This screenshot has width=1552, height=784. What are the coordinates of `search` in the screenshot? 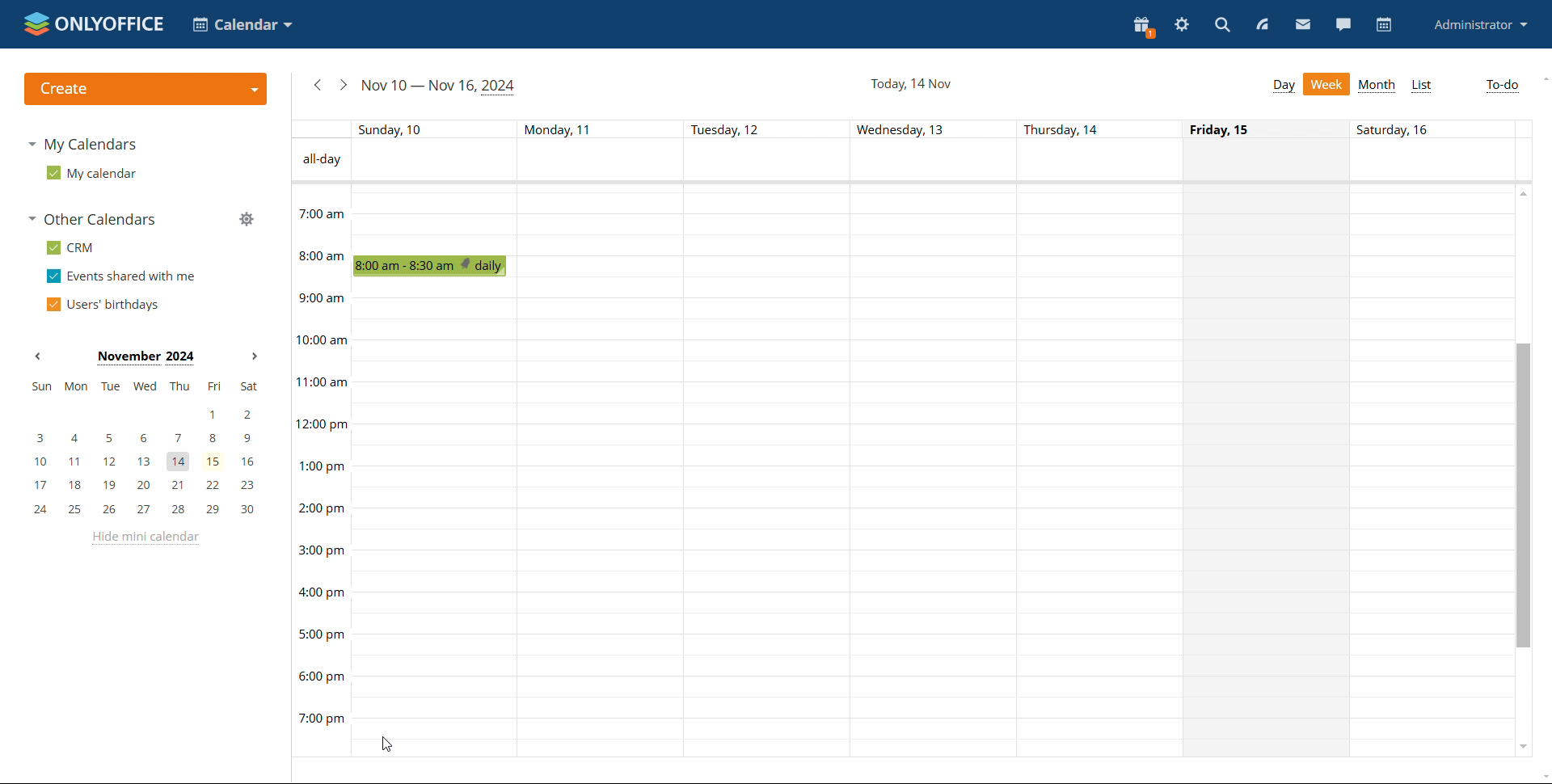 It's located at (1222, 24).